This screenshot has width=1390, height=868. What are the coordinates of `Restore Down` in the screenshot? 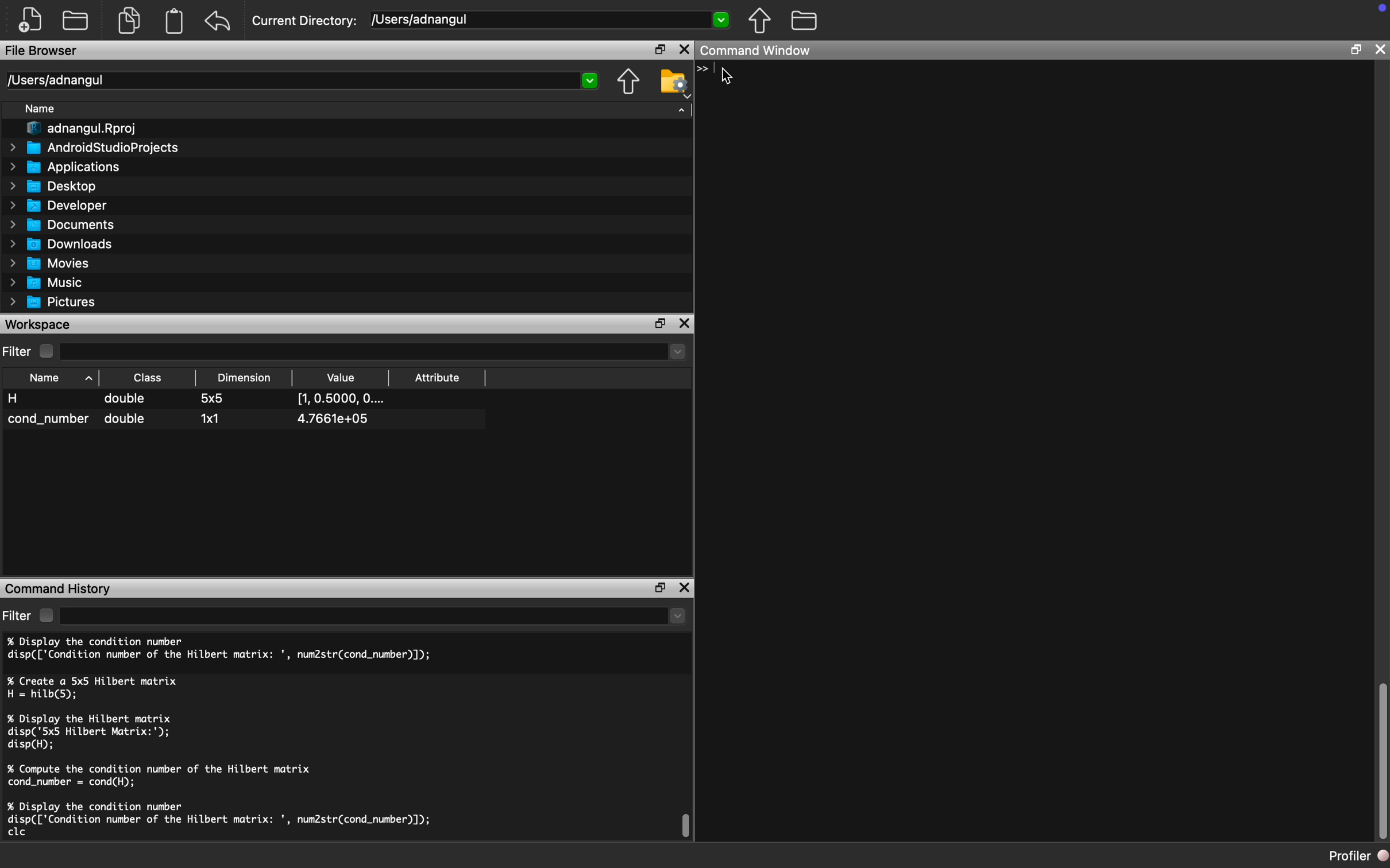 It's located at (659, 587).